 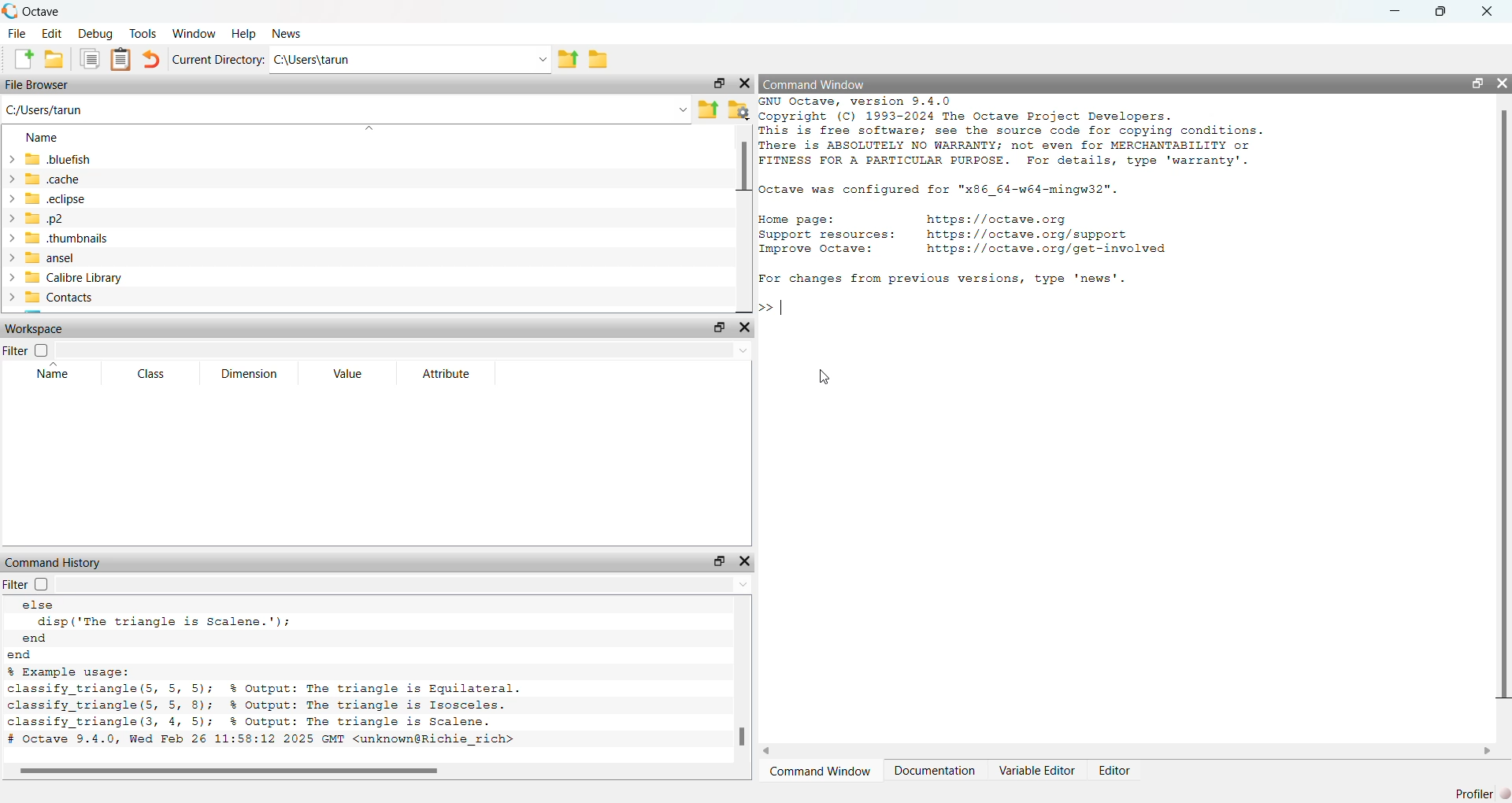 What do you see at coordinates (948, 191) in the screenshot?
I see `details of octave configuration` at bounding box center [948, 191].